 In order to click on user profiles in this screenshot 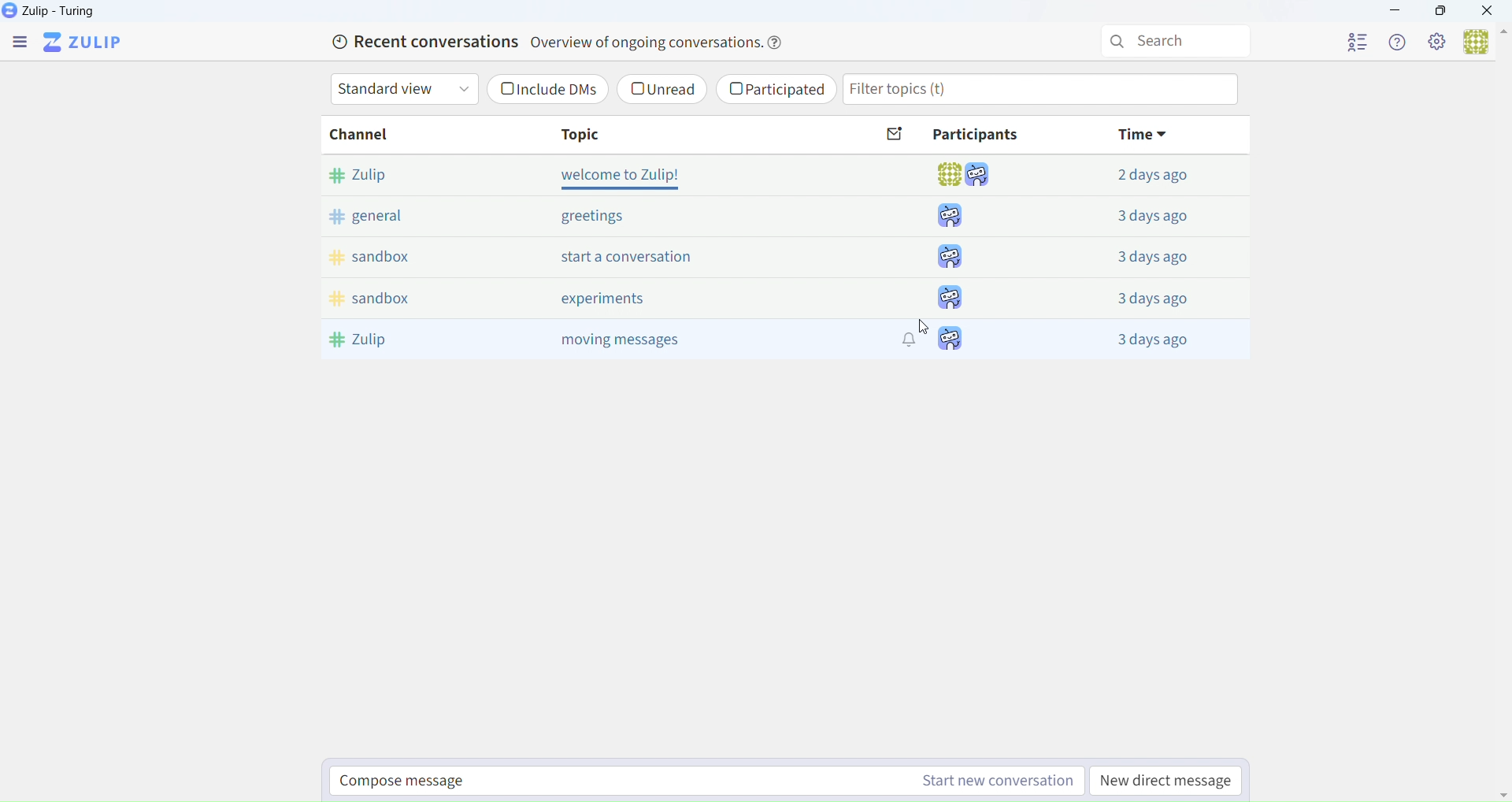, I will do `click(949, 297)`.